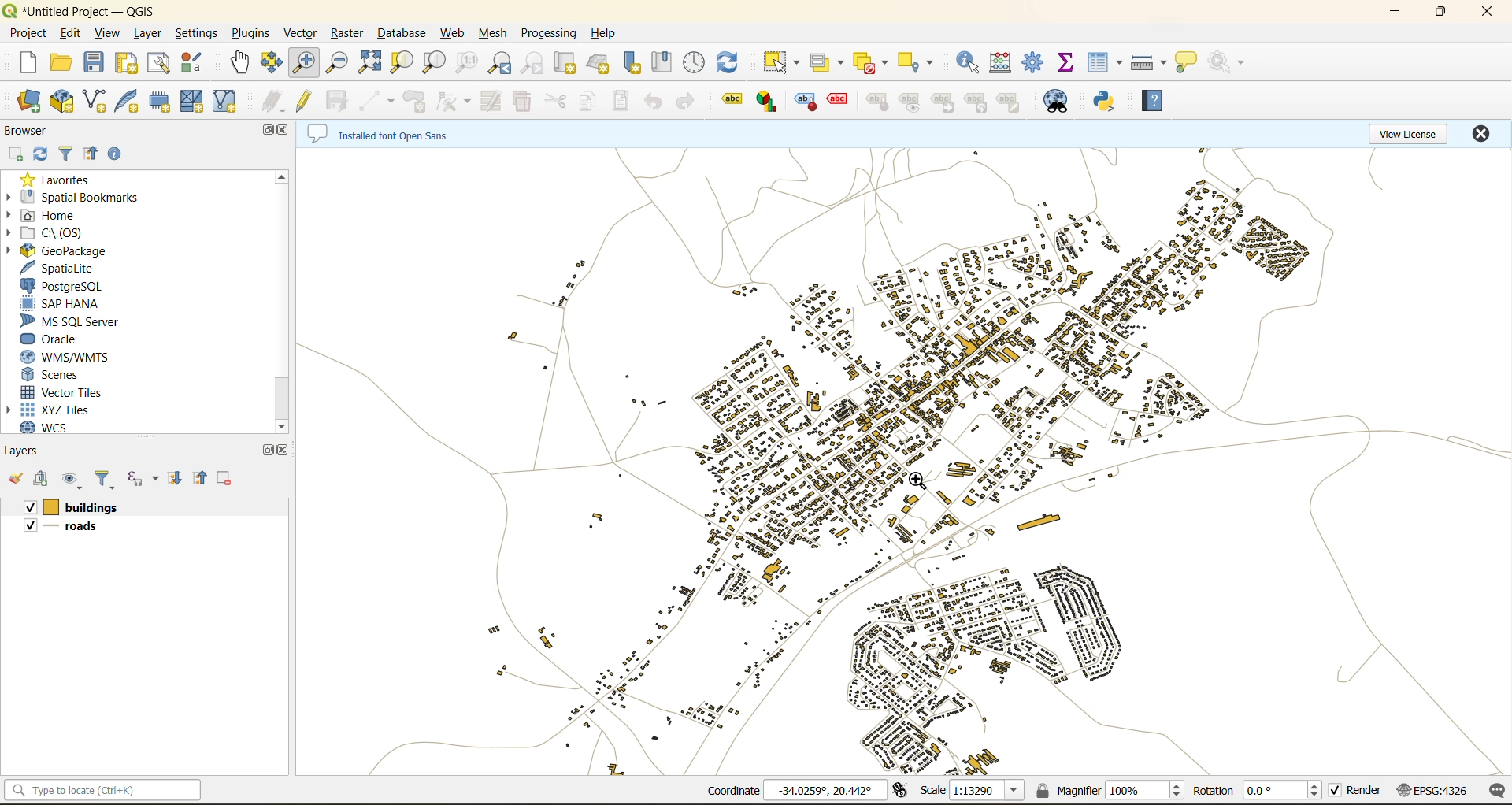 The height and width of the screenshot is (805, 1512). Describe the element at coordinates (78, 197) in the screenshot. I see `spatial bookmarks` at that location.